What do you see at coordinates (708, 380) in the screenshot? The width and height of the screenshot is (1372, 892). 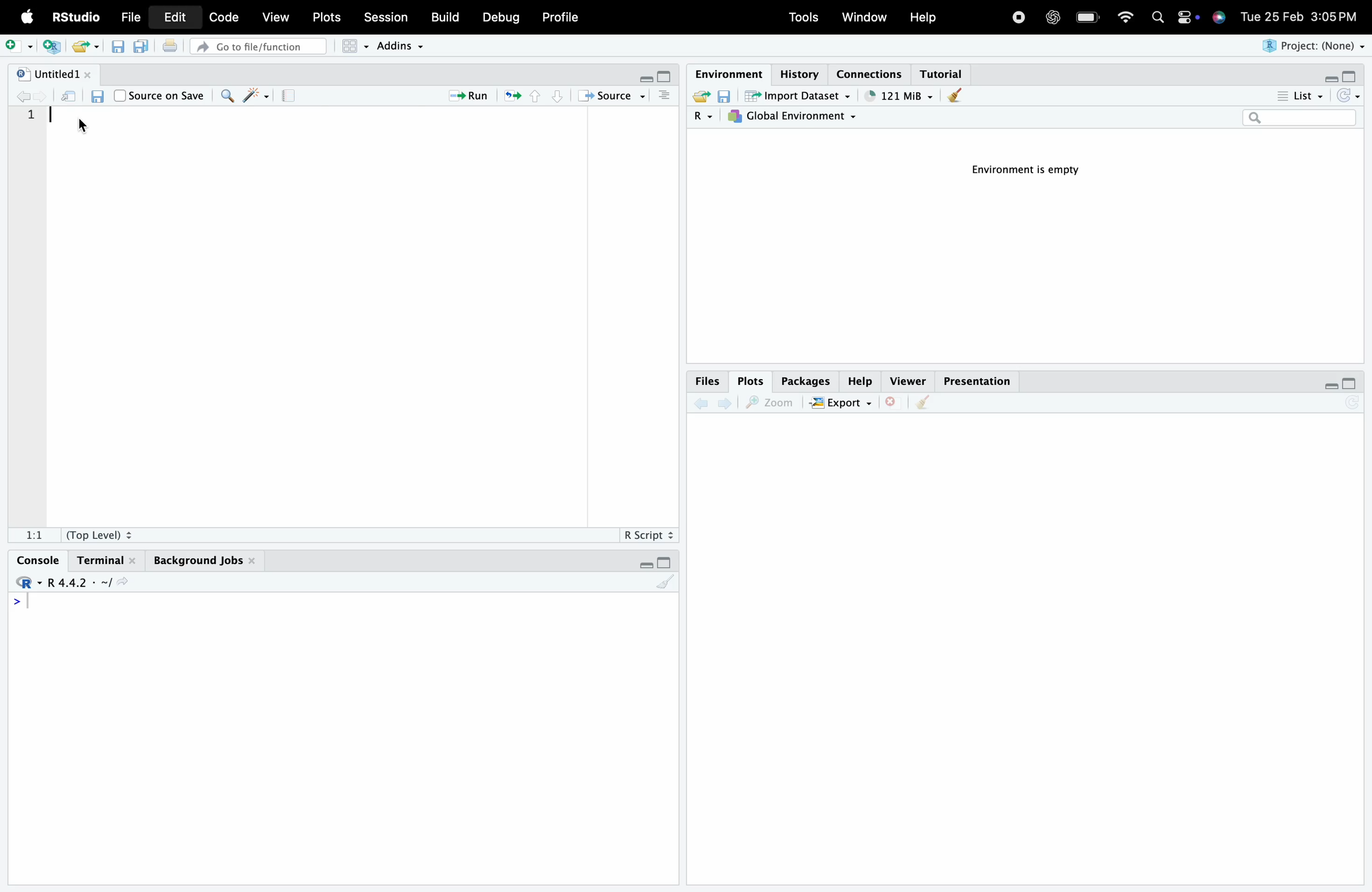 I see `Files` at bounding box center [708, 380].